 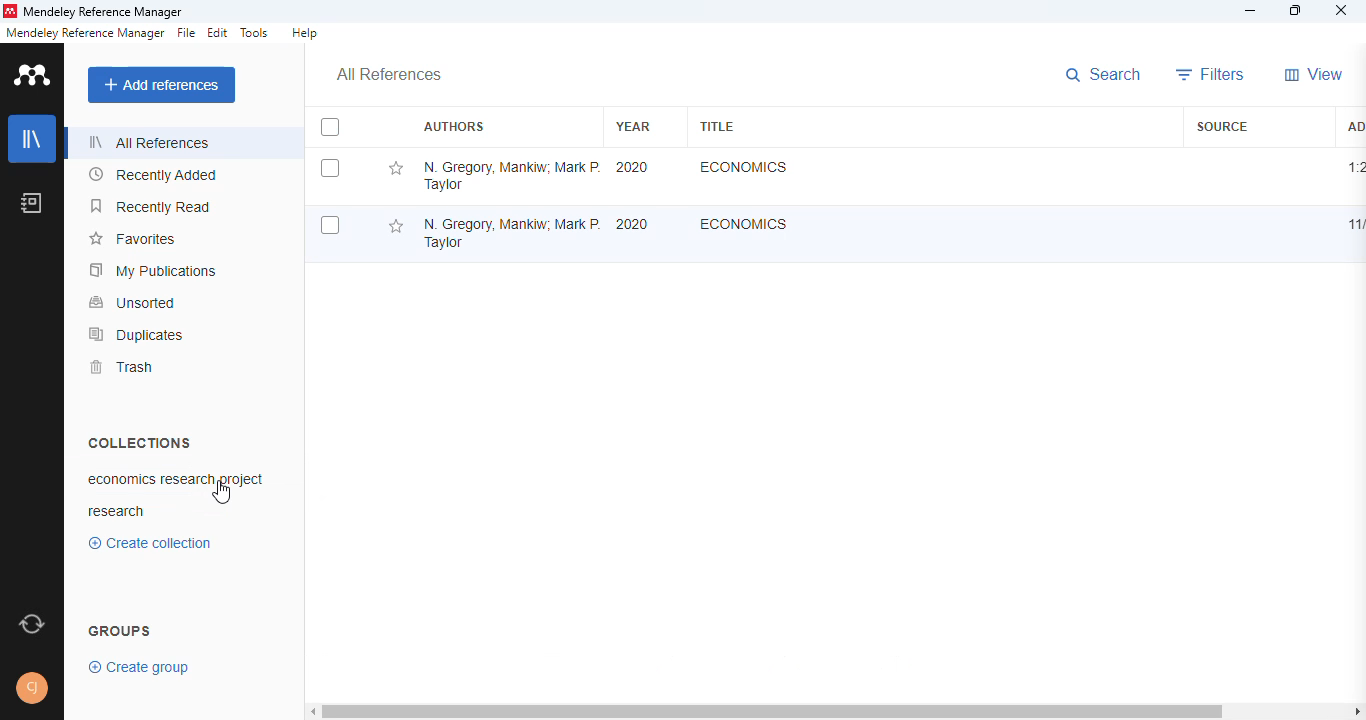 I want to click on 11/, so click(x=1353, y=225).